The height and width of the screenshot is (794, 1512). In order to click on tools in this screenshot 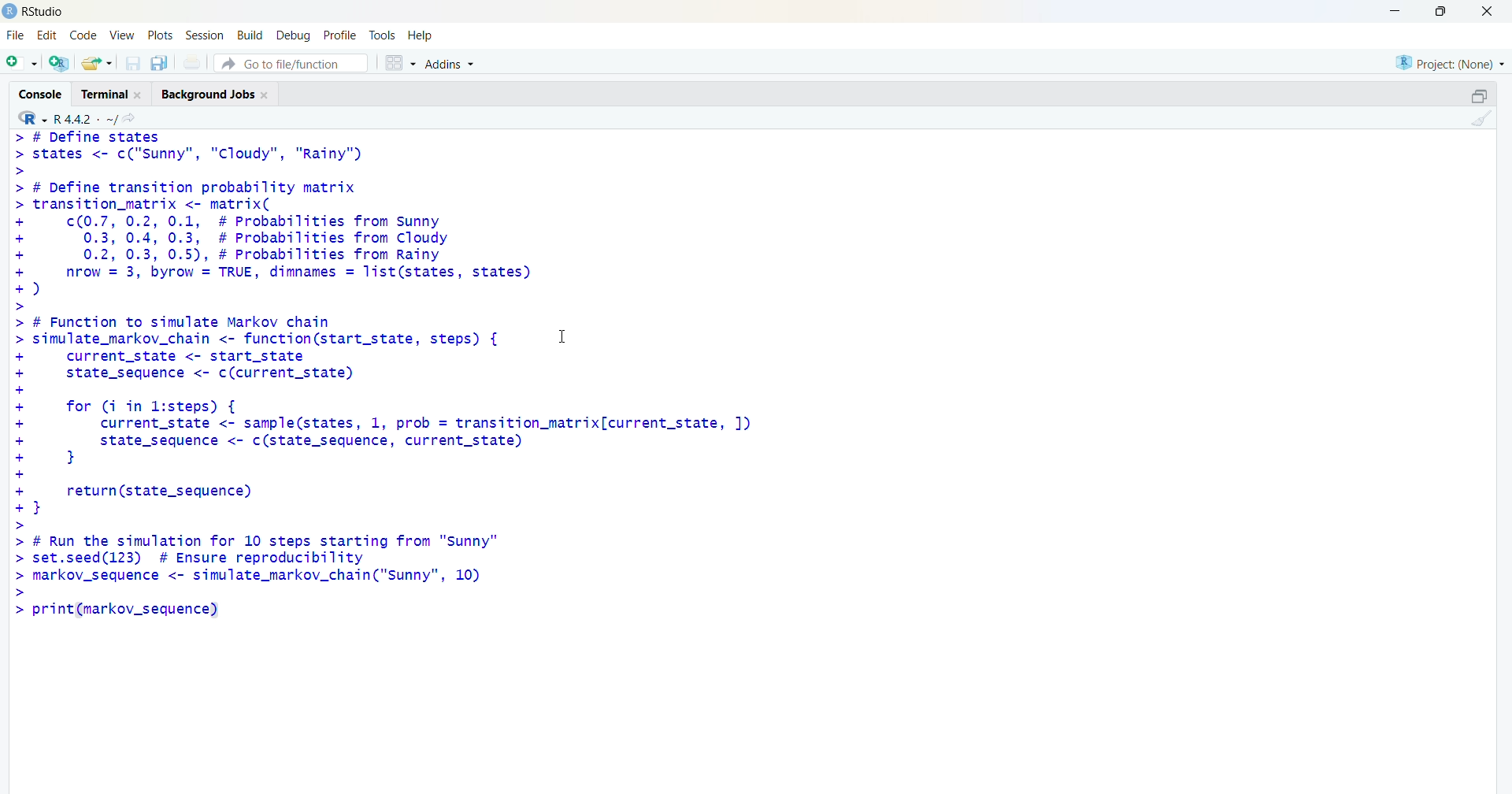, I will do `click(384, 33)`.